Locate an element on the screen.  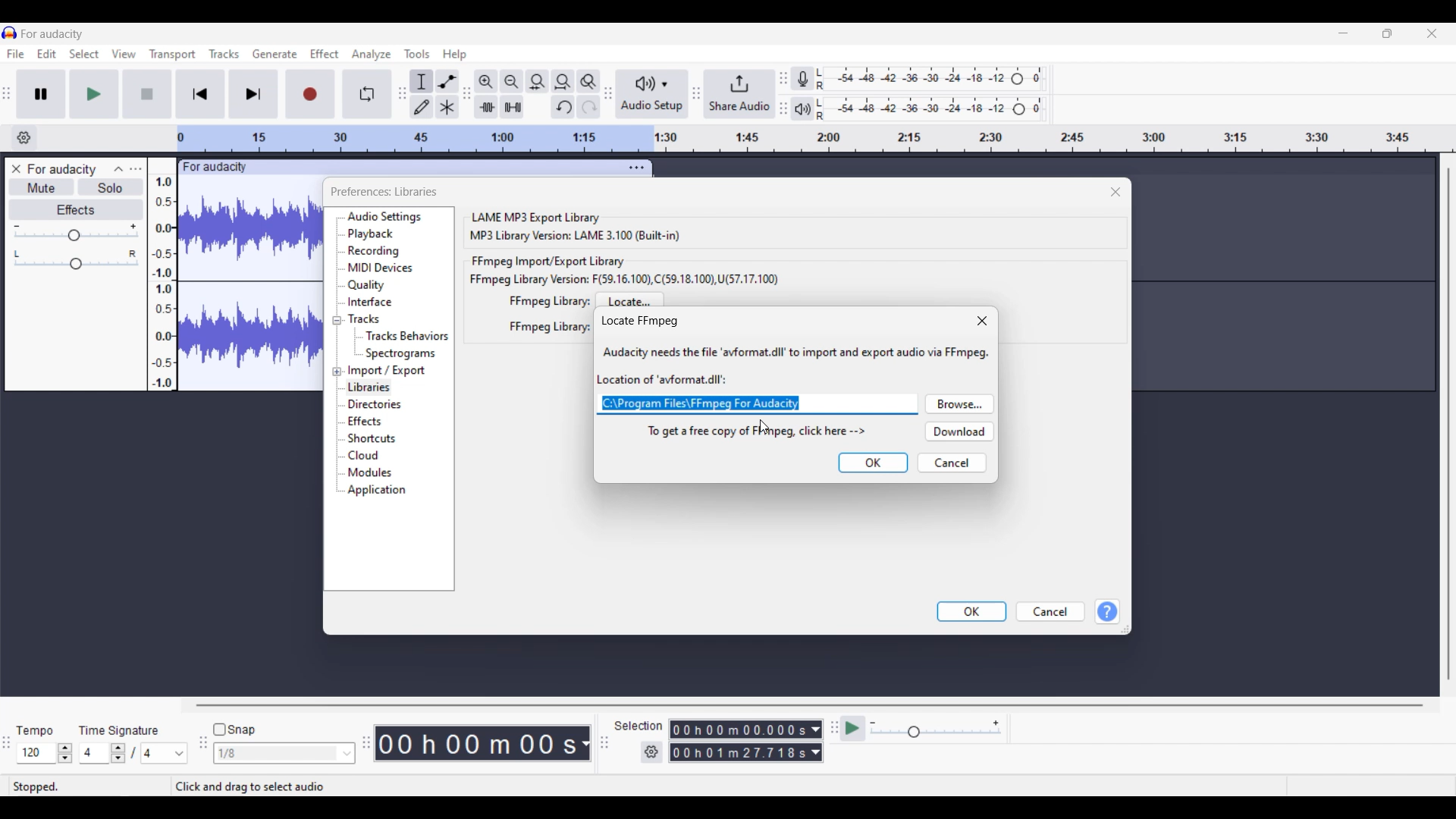
Playback is located at coordinates (377, 234).